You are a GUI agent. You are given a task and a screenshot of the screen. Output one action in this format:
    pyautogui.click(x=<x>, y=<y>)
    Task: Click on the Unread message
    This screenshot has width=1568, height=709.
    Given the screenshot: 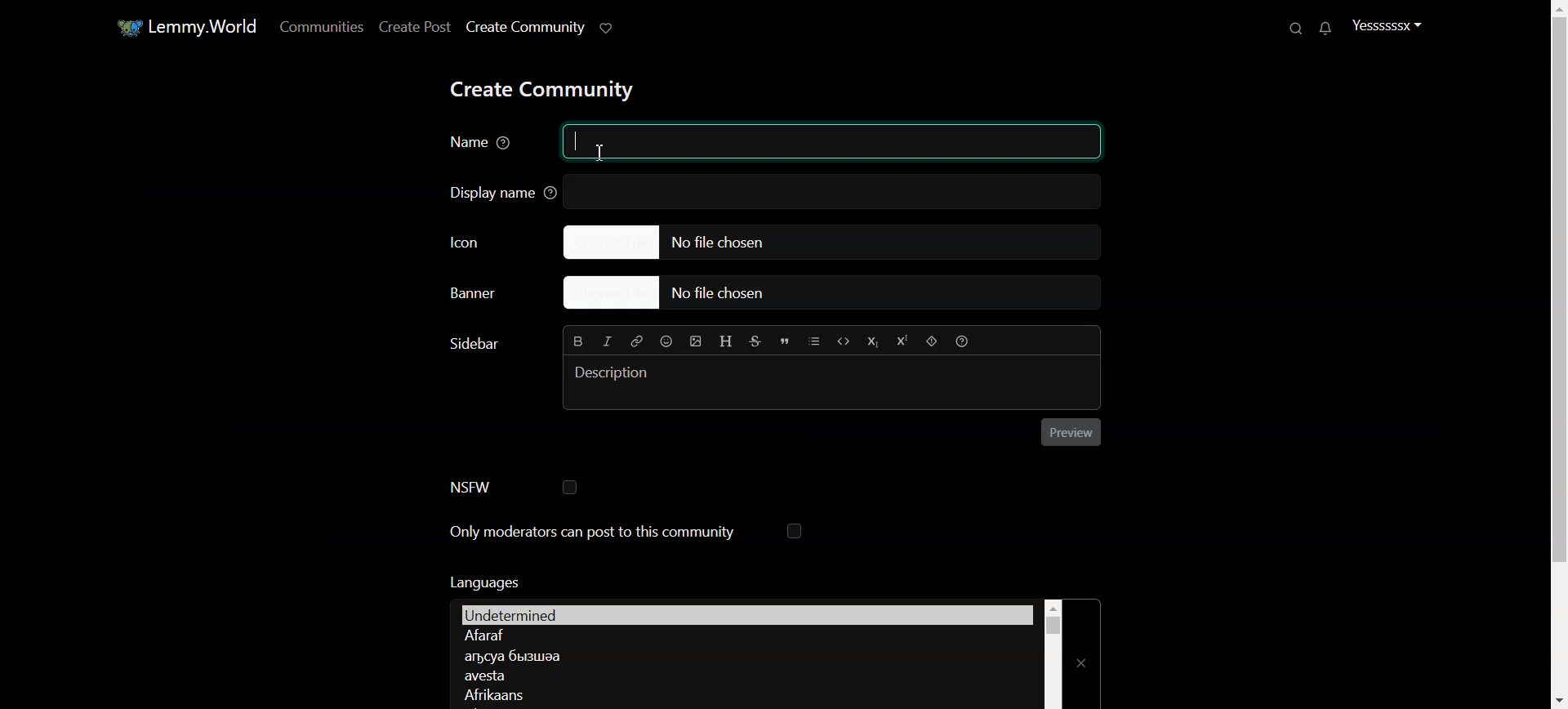 What is the action you would take?
    pyautogui.click(x=1324, y=29)
    